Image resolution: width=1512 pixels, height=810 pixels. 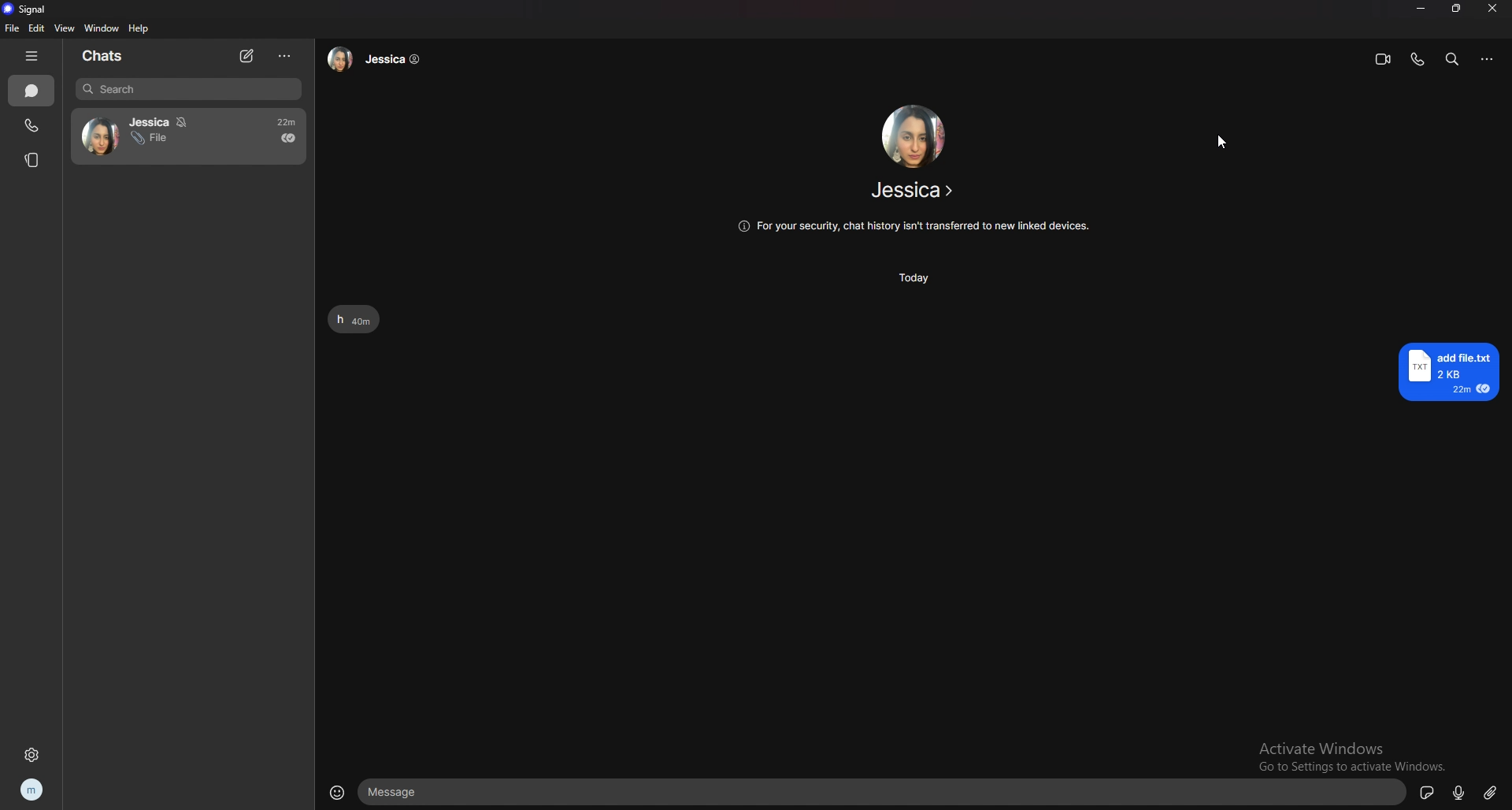 I want to click on add file.txt
2KB
22m €@
=, so click(x=1453, y=373).